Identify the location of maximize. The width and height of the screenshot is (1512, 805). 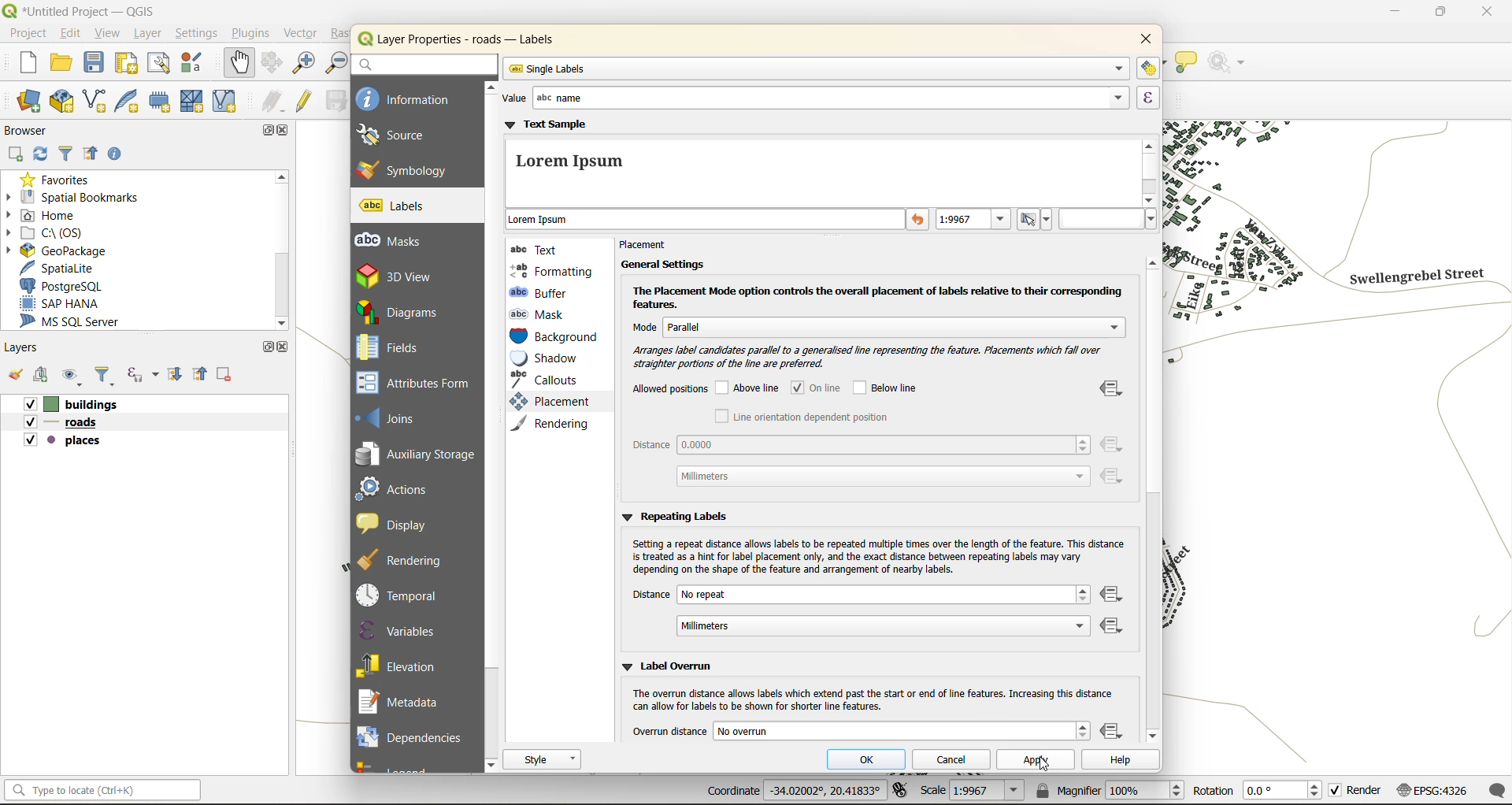
(269, 132).